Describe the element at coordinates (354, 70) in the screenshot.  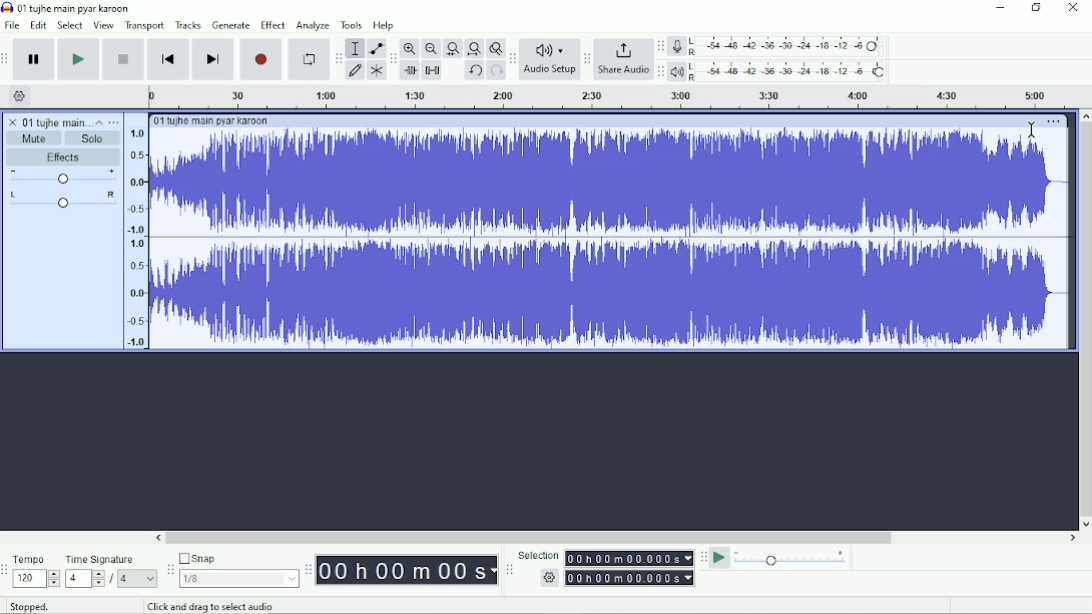
I see `Draw tool` at that location.